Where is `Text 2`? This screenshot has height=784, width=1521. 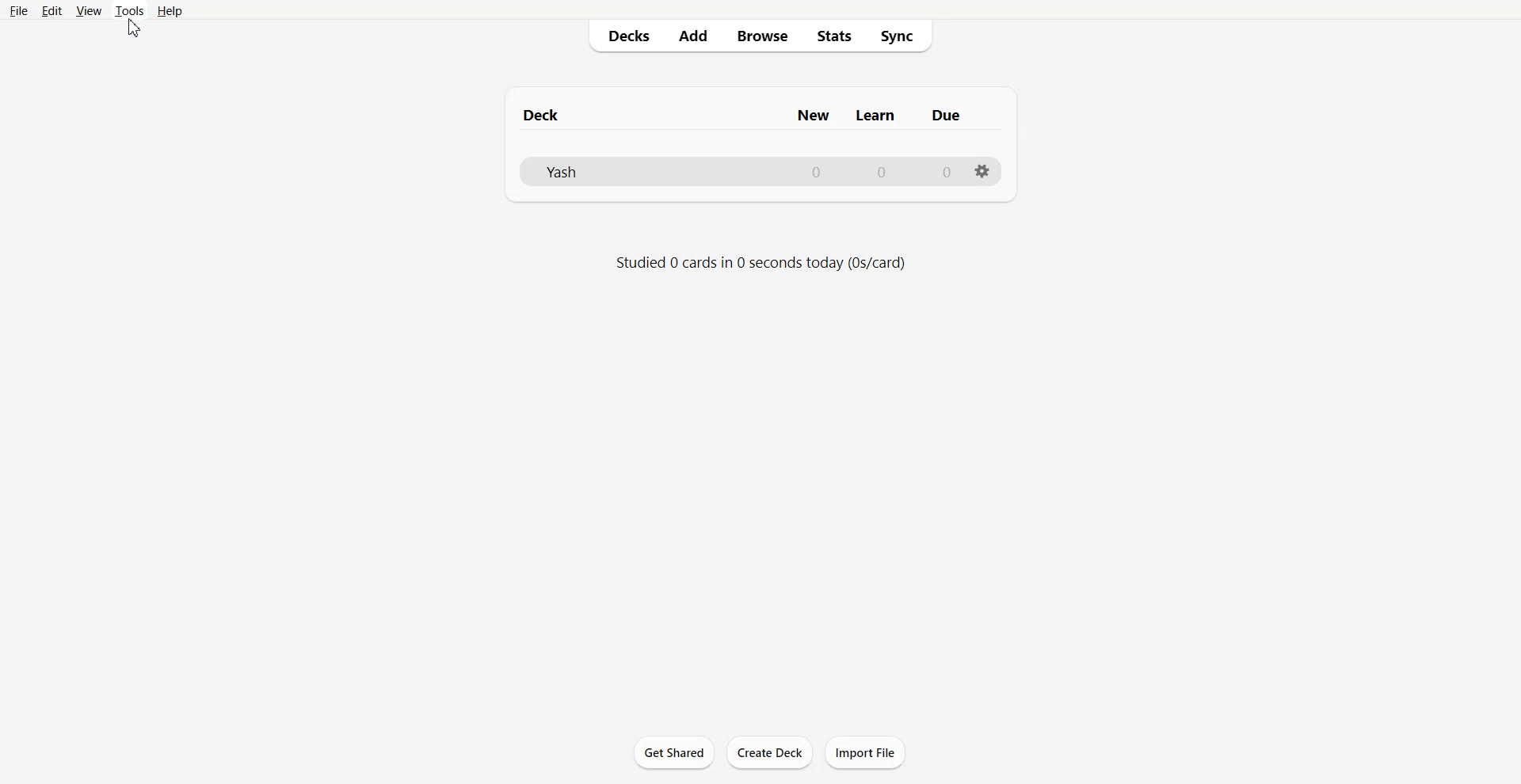 Text 2 is located at coordinates (760, 263).